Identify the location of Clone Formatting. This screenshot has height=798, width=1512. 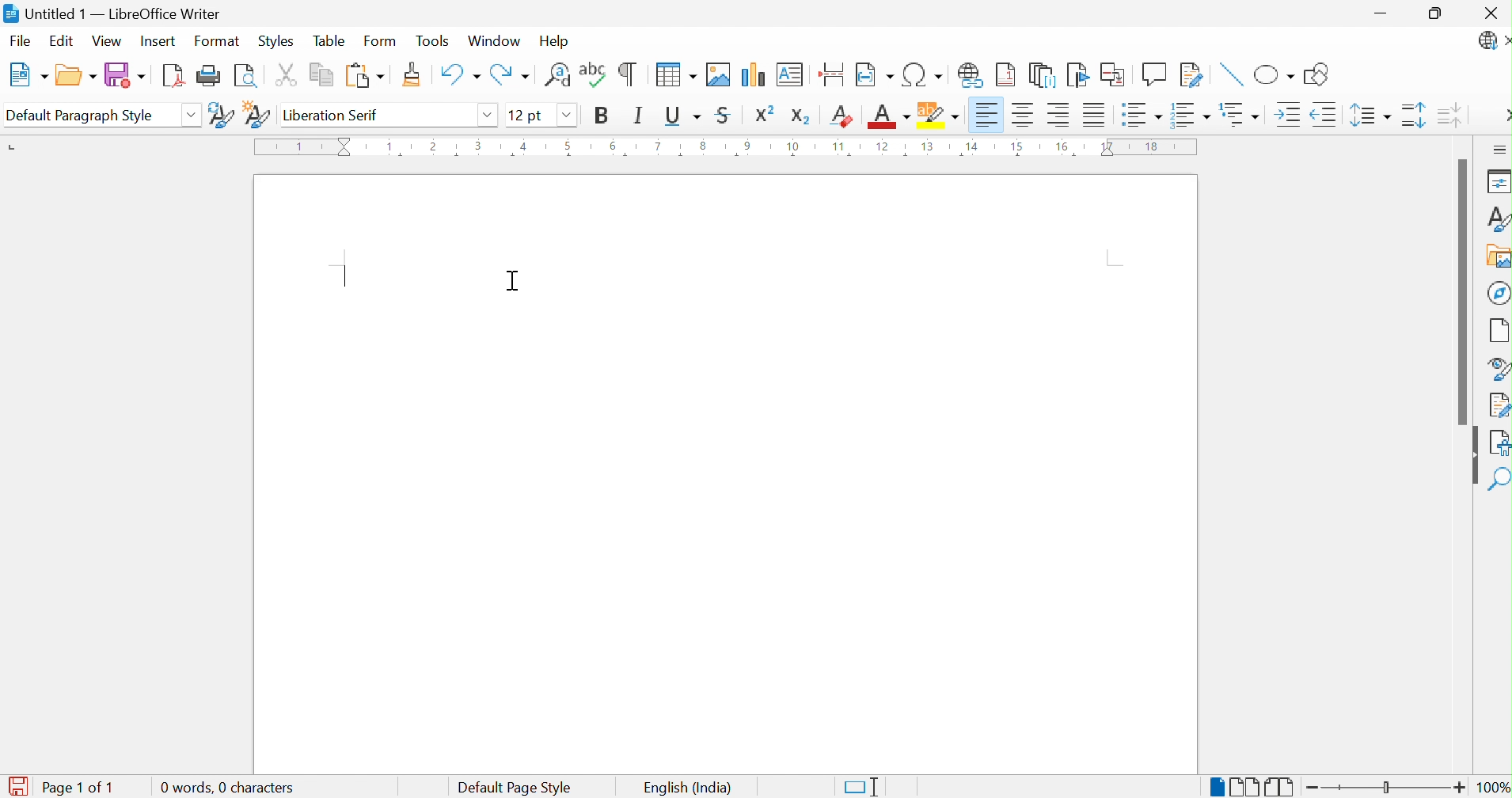
(412, 74).